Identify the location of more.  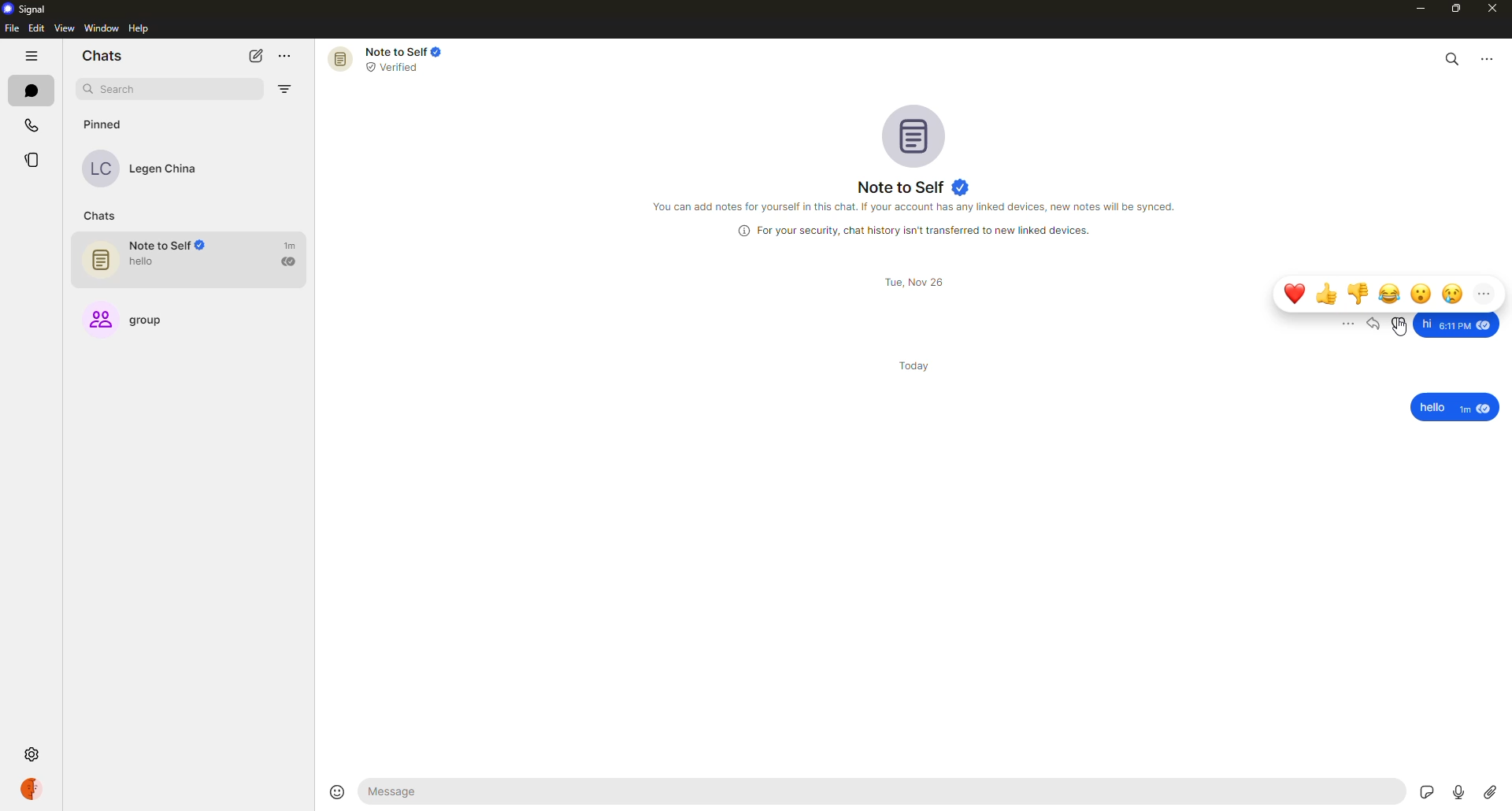
(1340, 324).